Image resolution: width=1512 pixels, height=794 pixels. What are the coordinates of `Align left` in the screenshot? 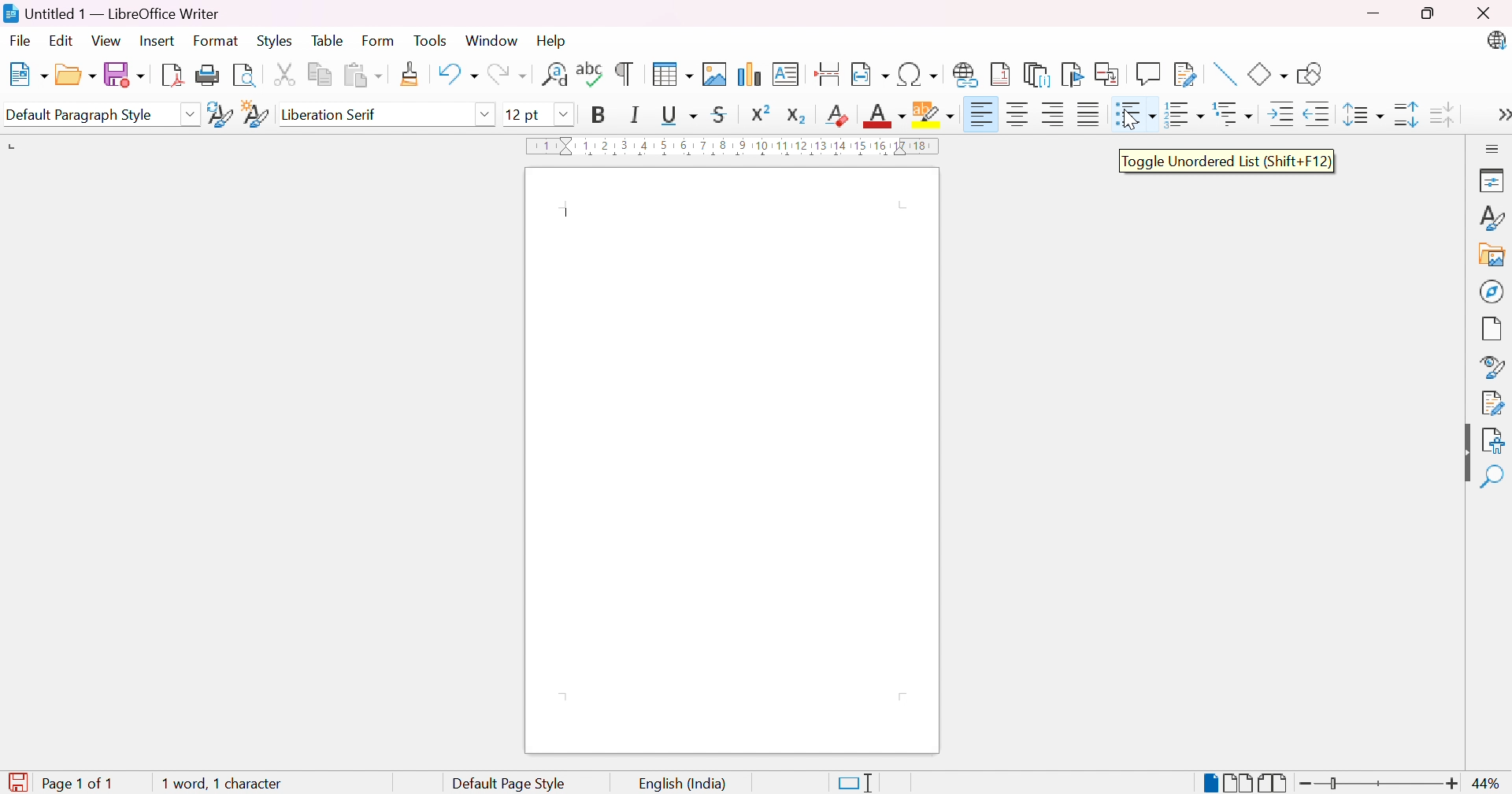 It's located at (1054, 114).